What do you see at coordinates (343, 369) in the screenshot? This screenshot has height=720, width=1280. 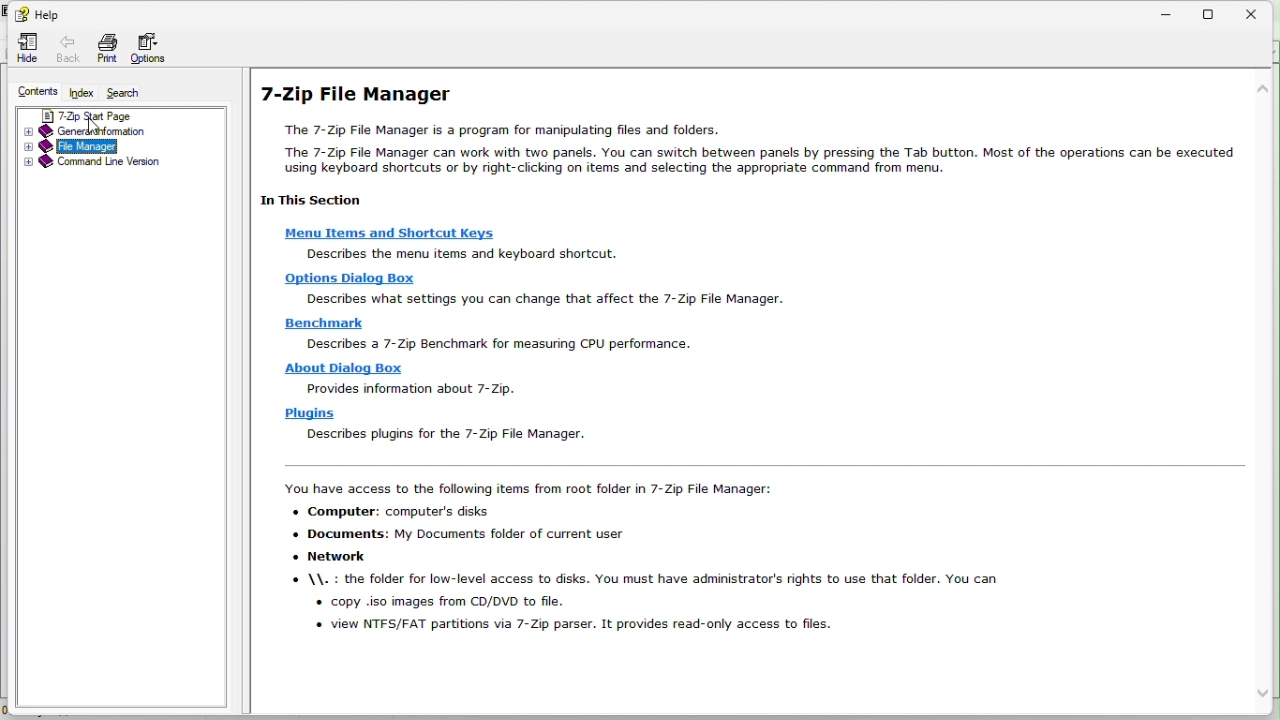 I see `about dialog box` at bounding box center [343, 369].